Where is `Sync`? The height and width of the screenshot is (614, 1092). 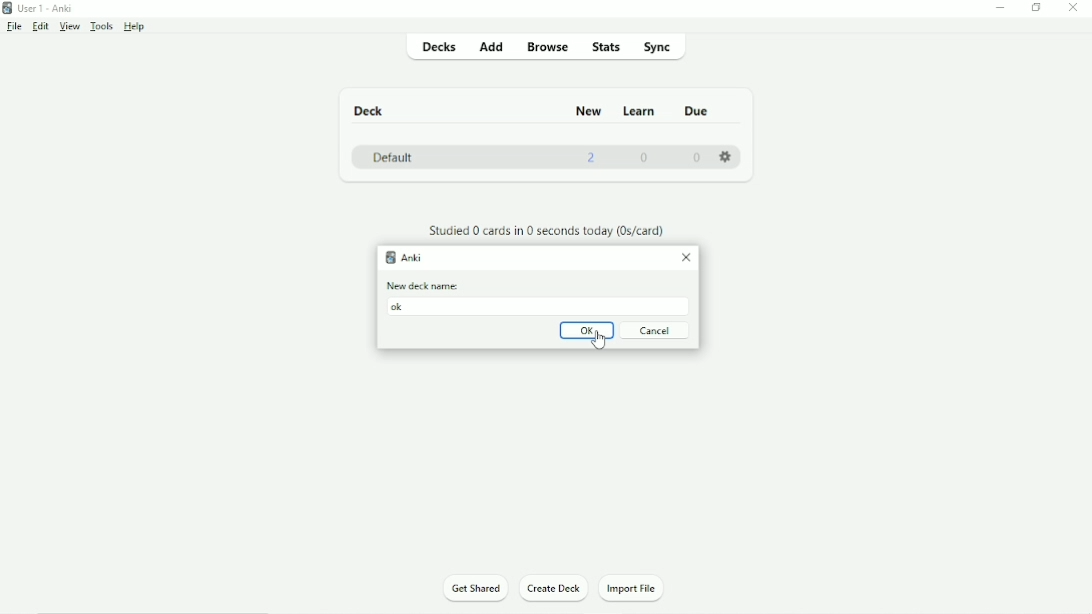 Sync is located at coordinates (657, 46).